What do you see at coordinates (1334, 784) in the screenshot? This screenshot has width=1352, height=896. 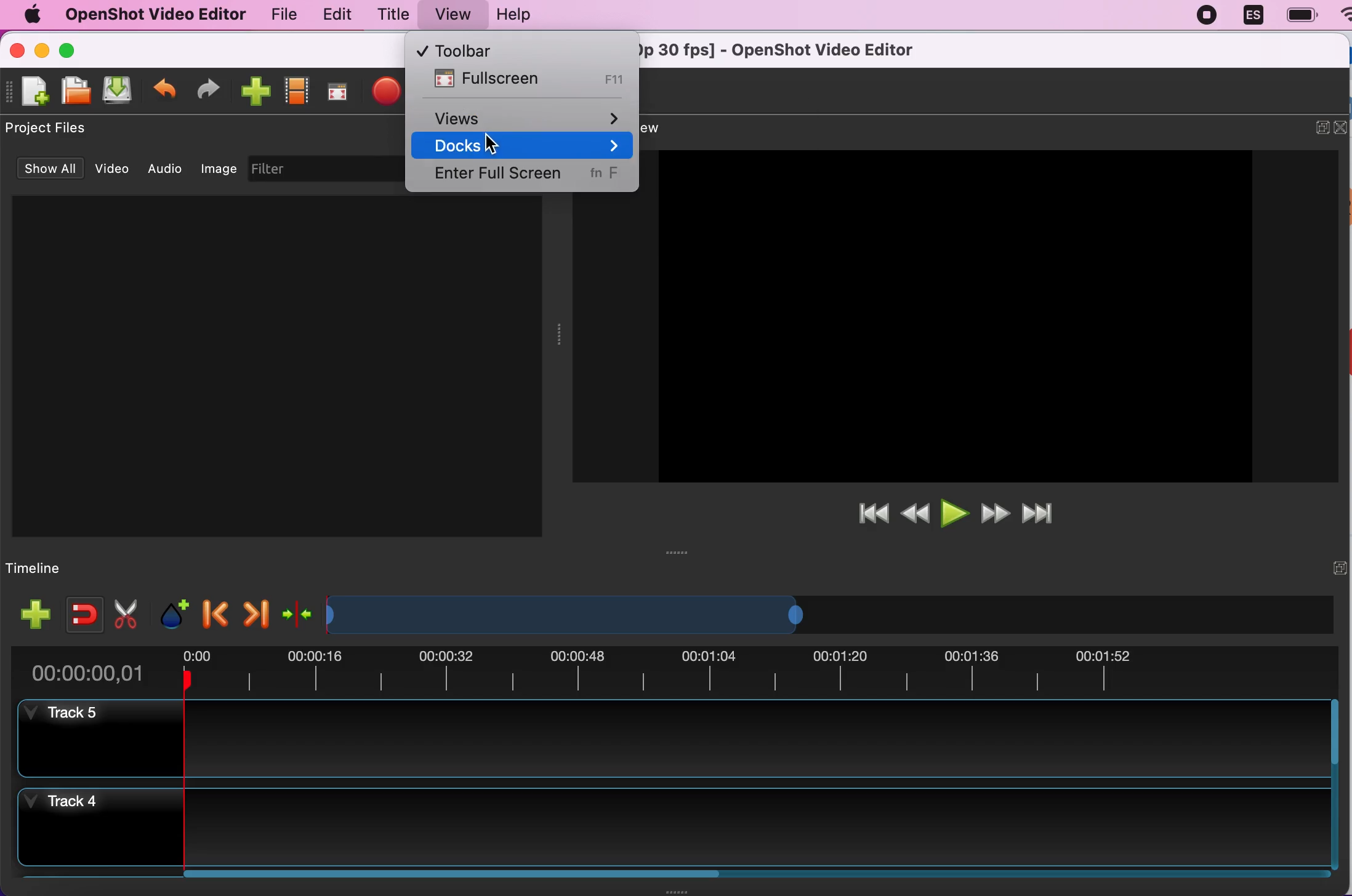 I see `Vertical slide bar` at bounding box center [1334, 784].